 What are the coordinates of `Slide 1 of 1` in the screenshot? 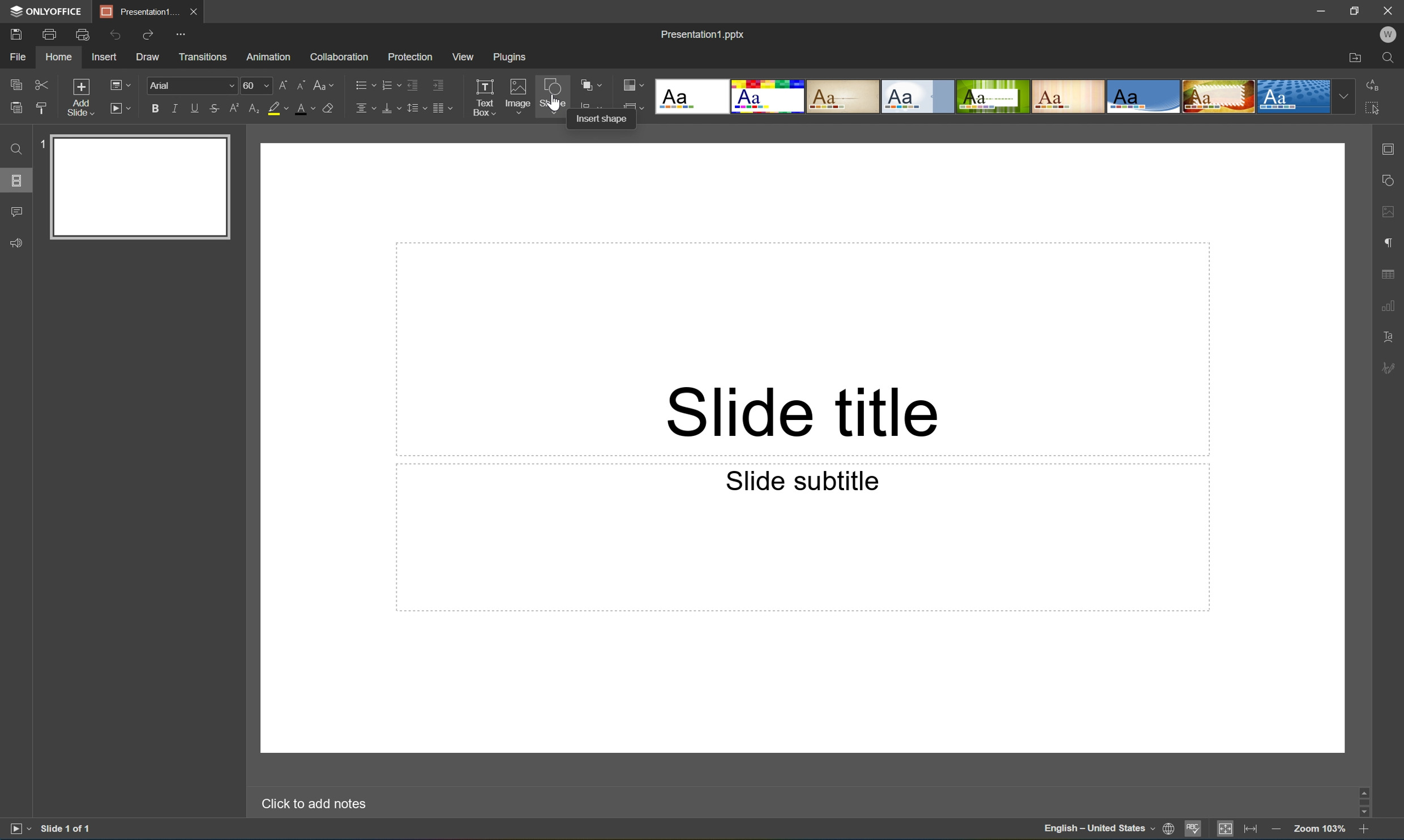 It's located at (70, 829).